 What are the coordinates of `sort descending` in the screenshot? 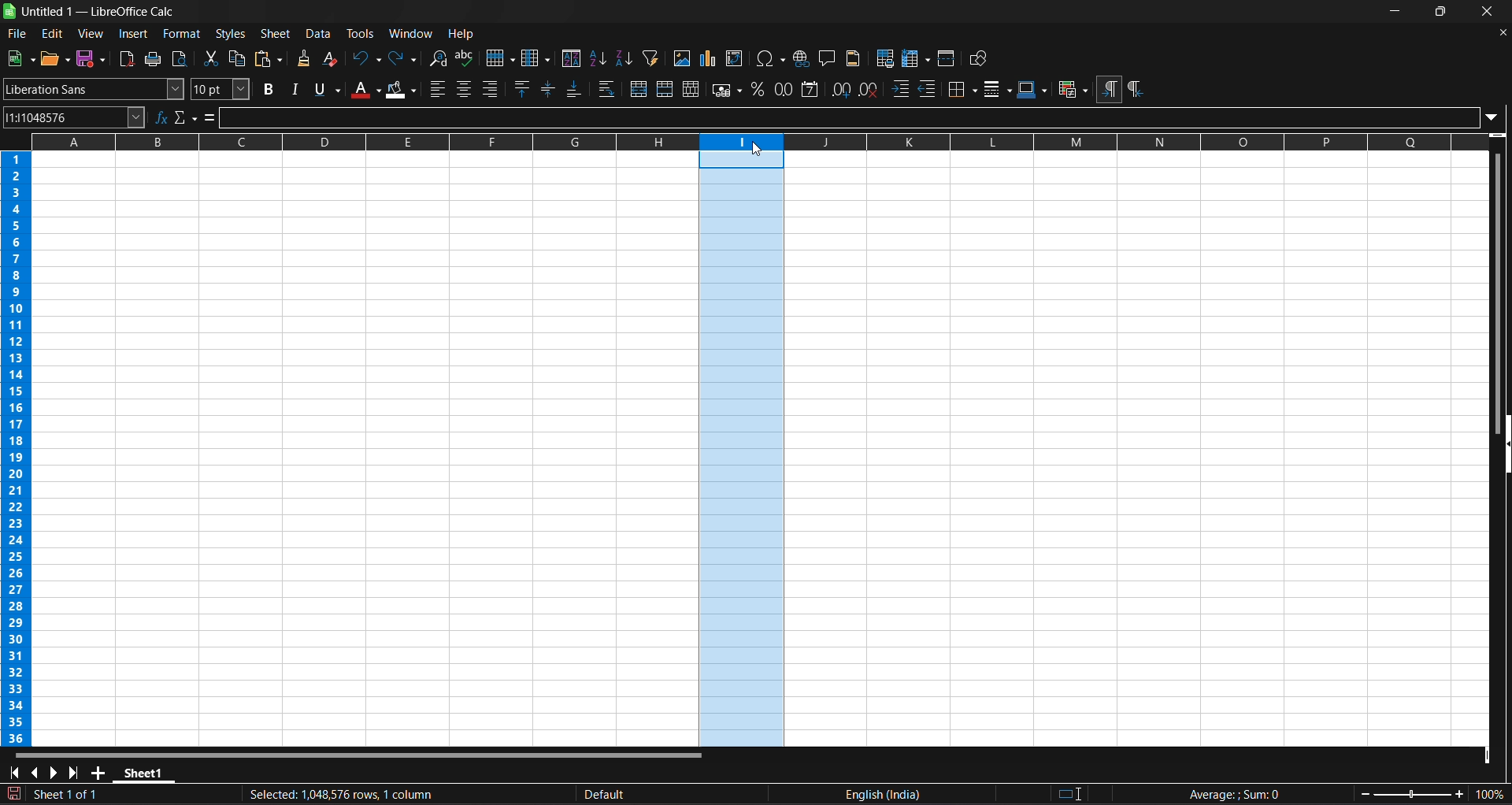 It's located at (625, 57).